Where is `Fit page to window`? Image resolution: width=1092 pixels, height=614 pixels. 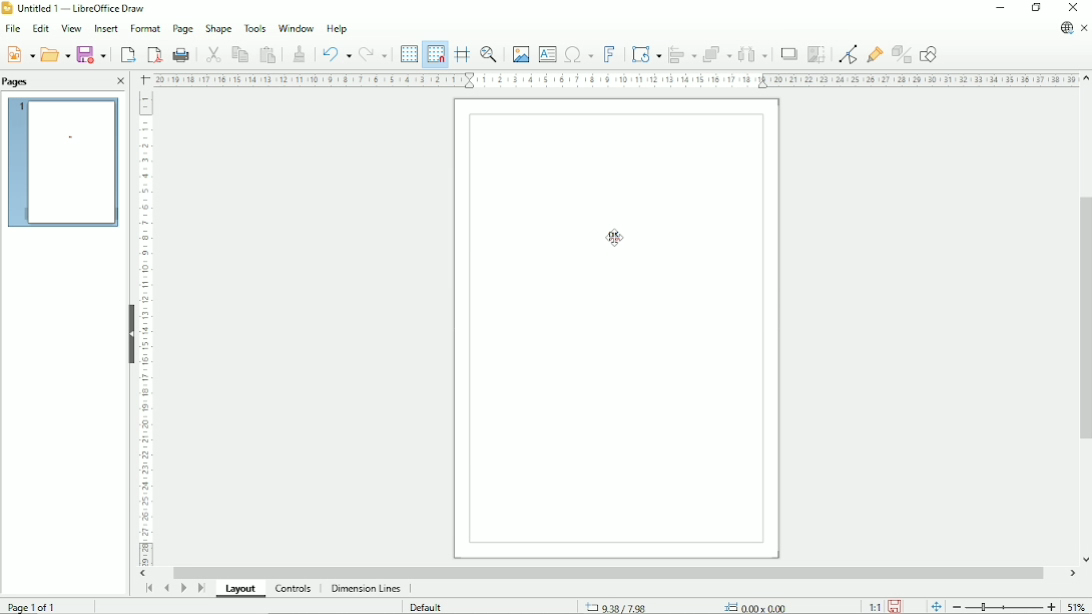
Fit page to window is located at coordinates (937, 606).